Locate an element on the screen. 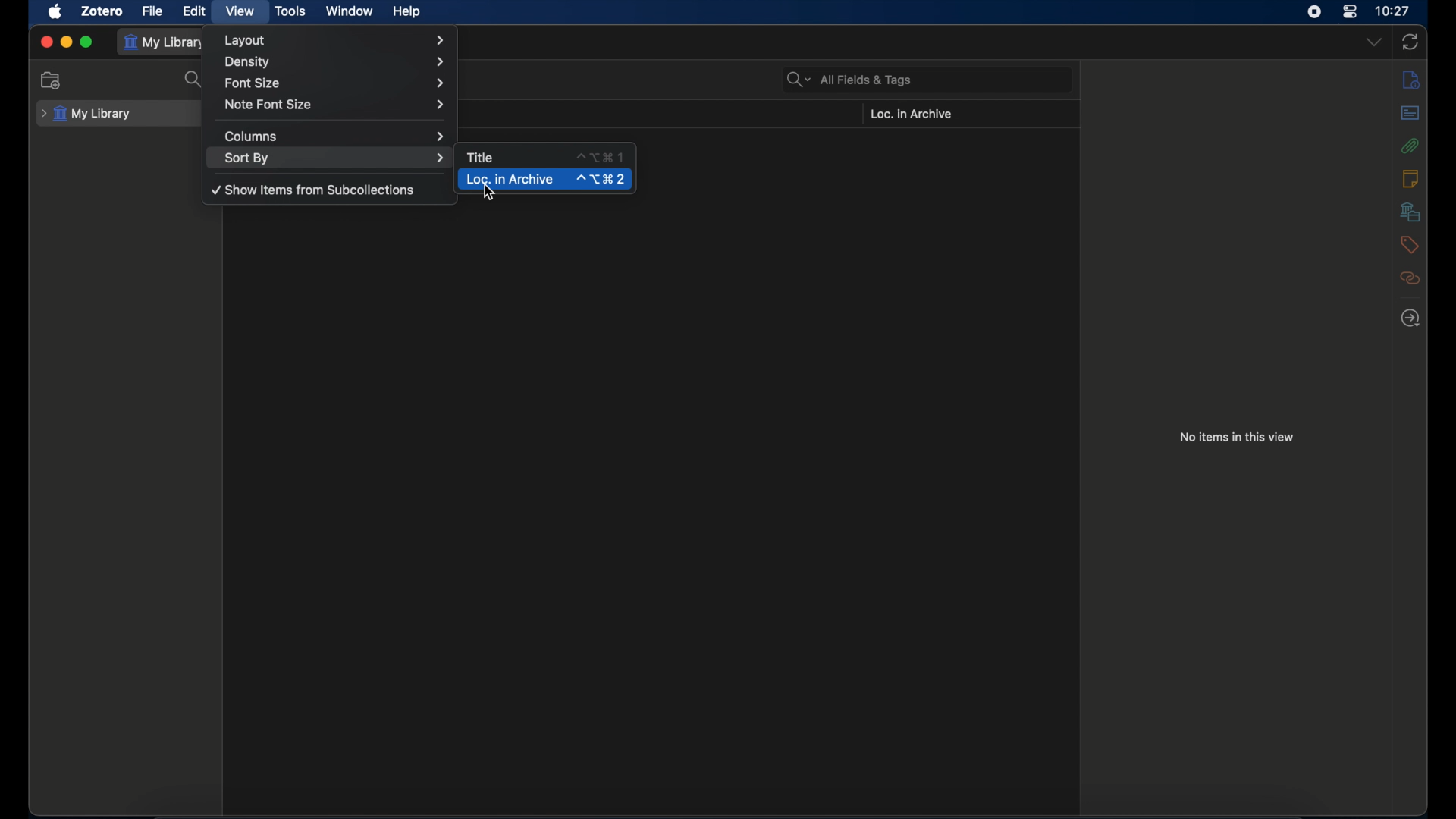 The height and width of the screenshot is (819, 1456). help is located at coordinates (408, 12).